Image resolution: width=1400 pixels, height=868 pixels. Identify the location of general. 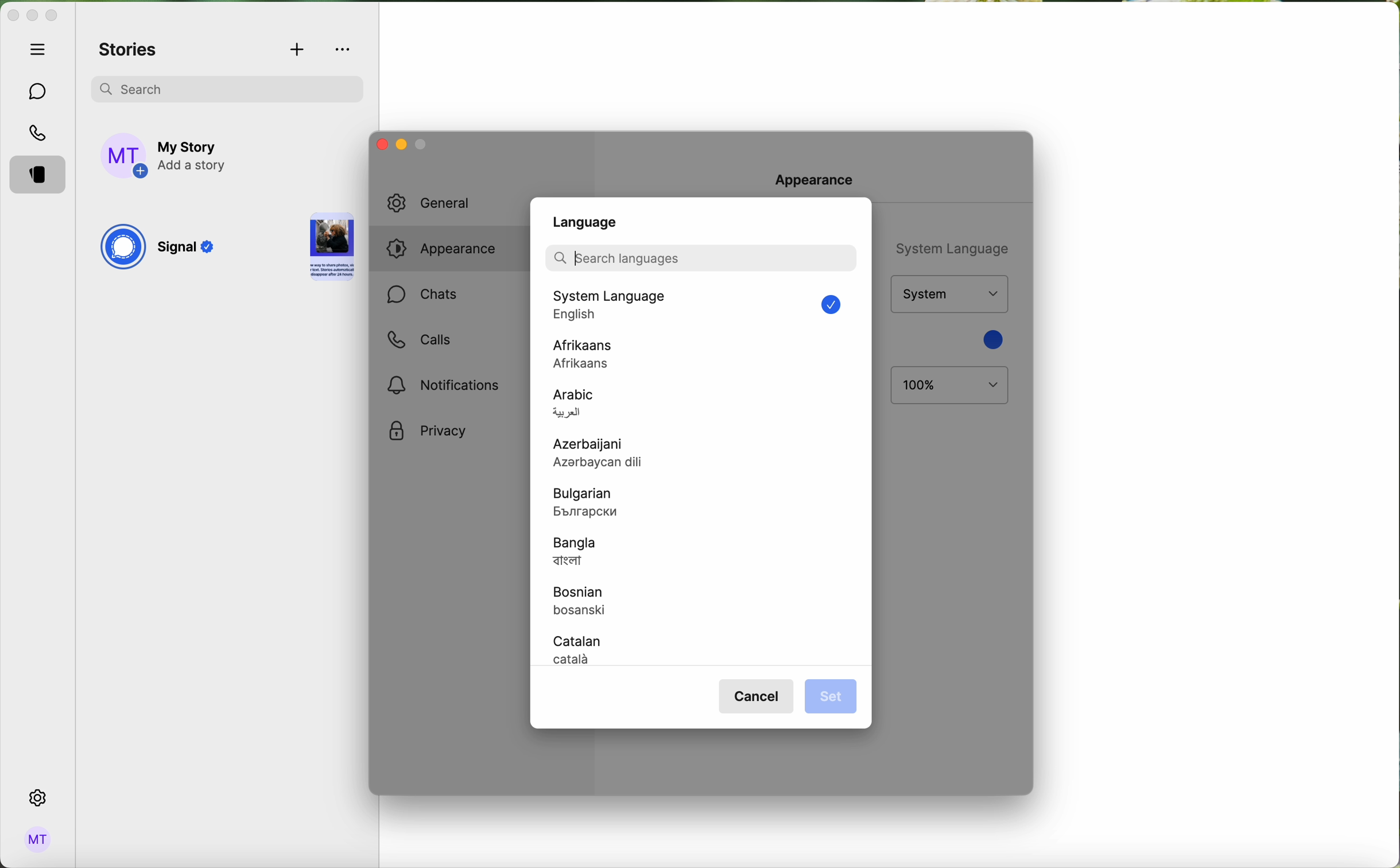
(443, 203).